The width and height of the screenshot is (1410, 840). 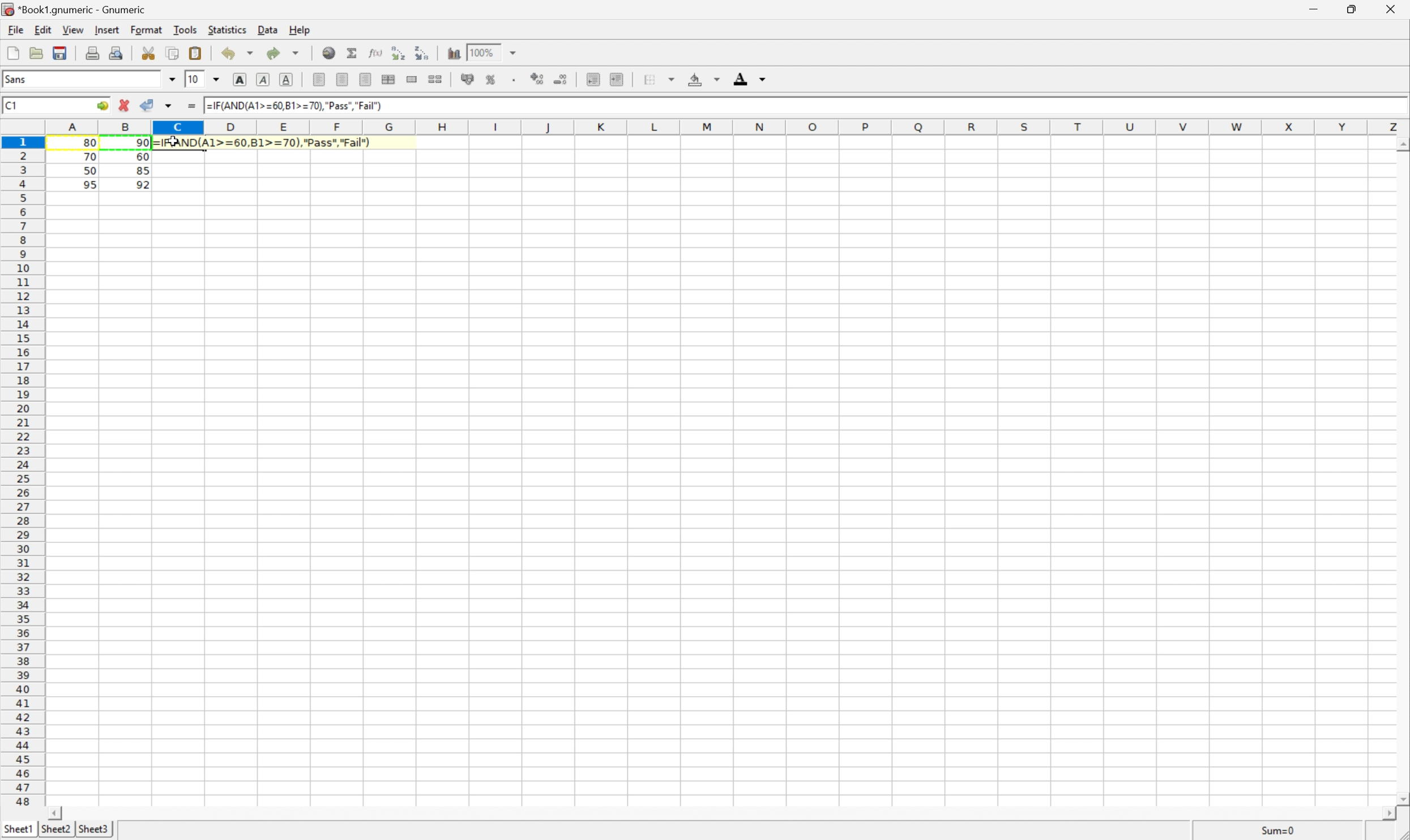 What do you see at coordinates (19, 828) in the screenshot?
I see `Sheet1` at bounding box center [19, 828].